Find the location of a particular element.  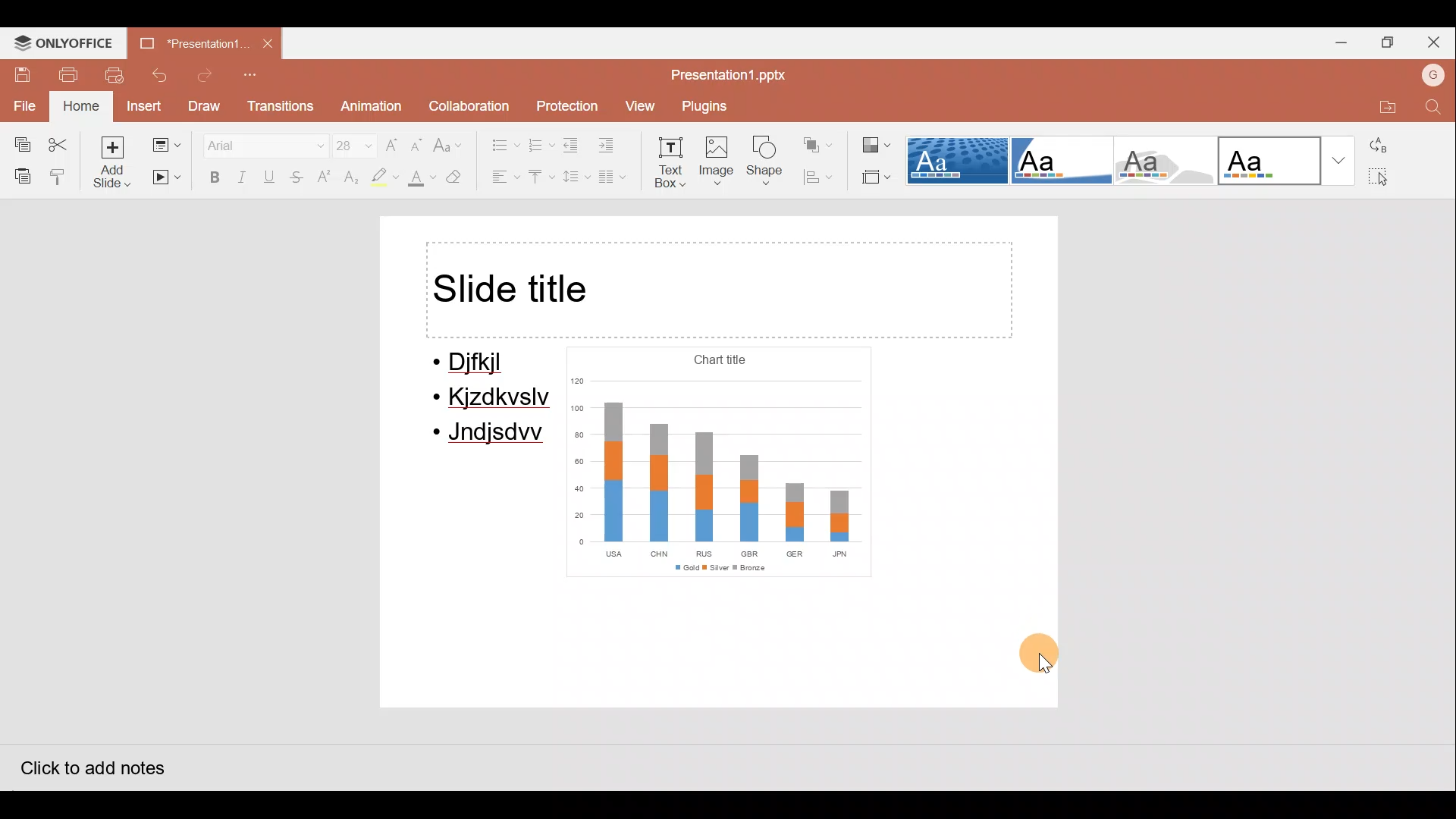

Document name is located at coordinates (186, 40).